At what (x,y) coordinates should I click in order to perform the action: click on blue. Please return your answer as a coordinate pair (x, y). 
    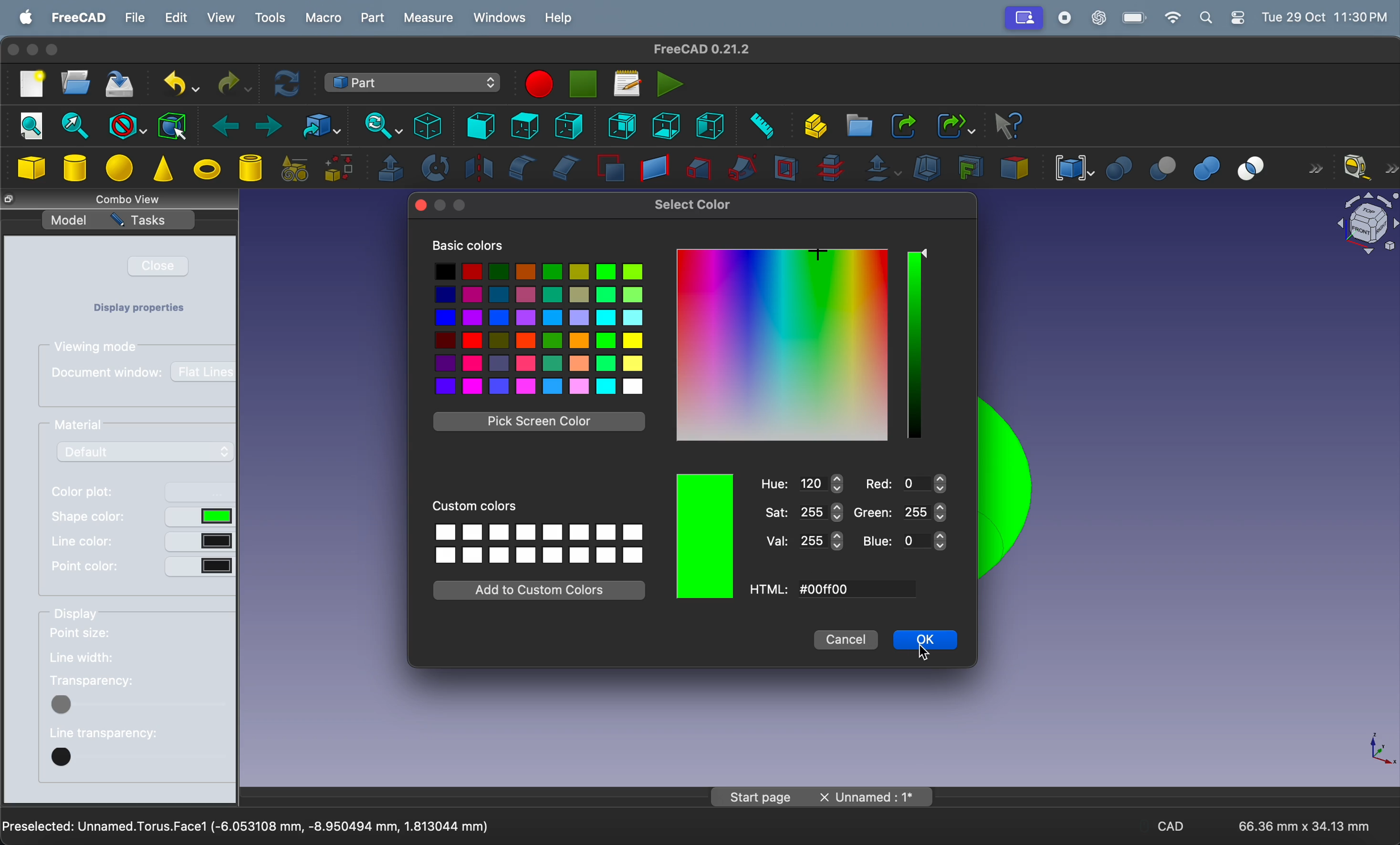
    Looking at the image, I should click on (904, 541).